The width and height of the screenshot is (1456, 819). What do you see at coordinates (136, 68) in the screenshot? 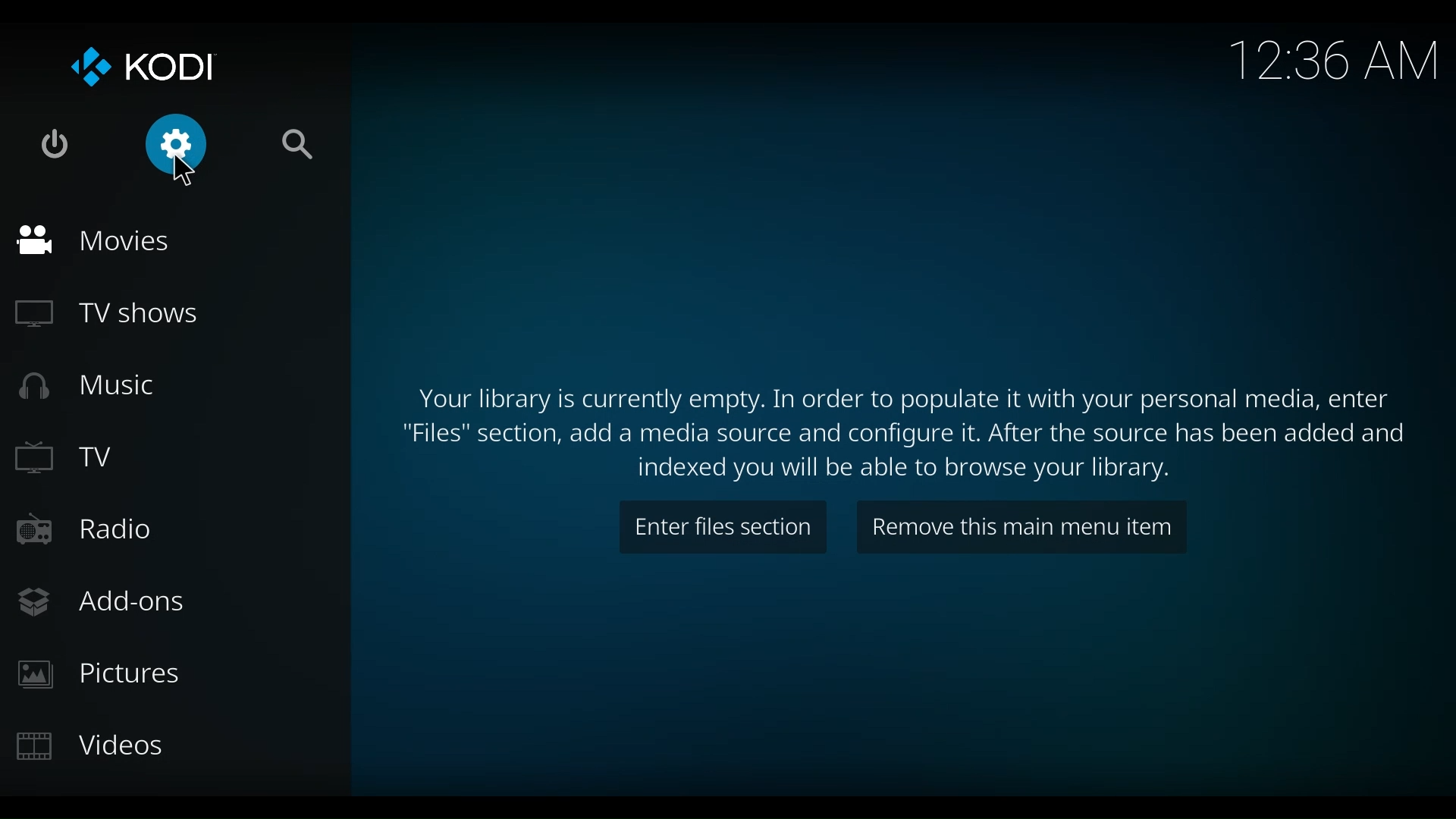
I see `kodi` at bounding box center [136, 68].